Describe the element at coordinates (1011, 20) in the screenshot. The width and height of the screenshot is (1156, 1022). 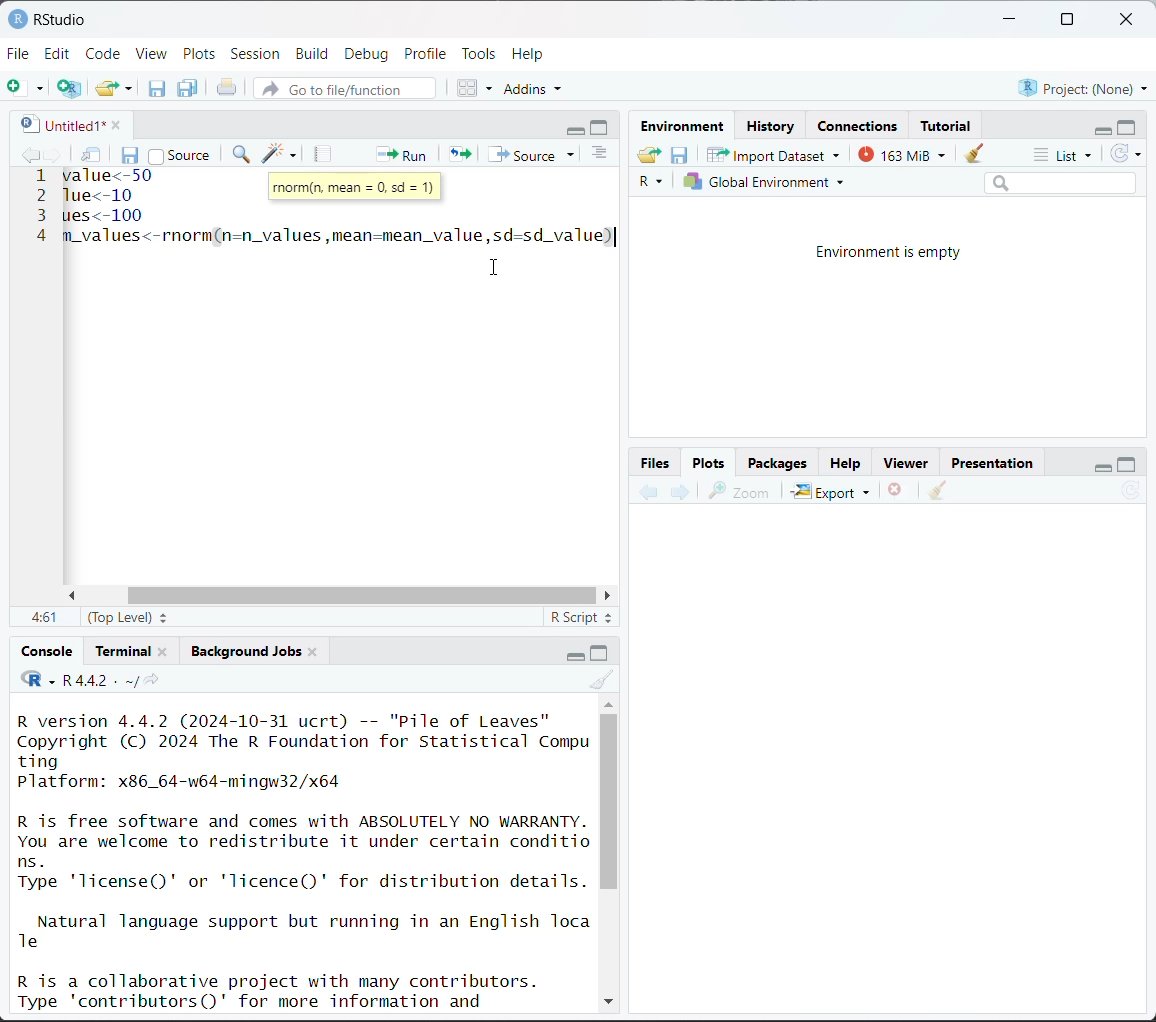
I see `minimize` at that location.